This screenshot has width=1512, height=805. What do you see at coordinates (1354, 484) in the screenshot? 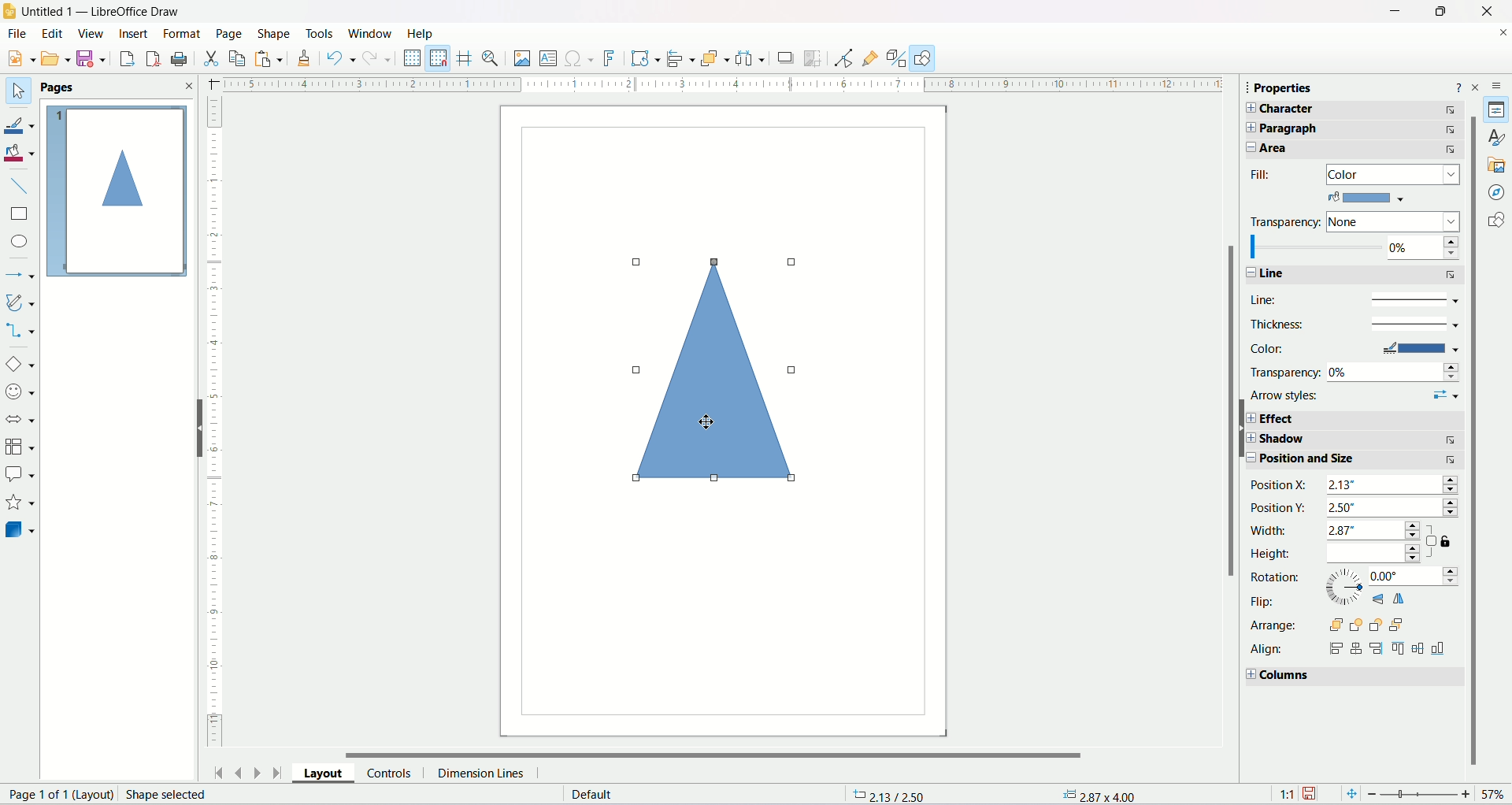
I see `position X` at bounding box center [1354, 484].